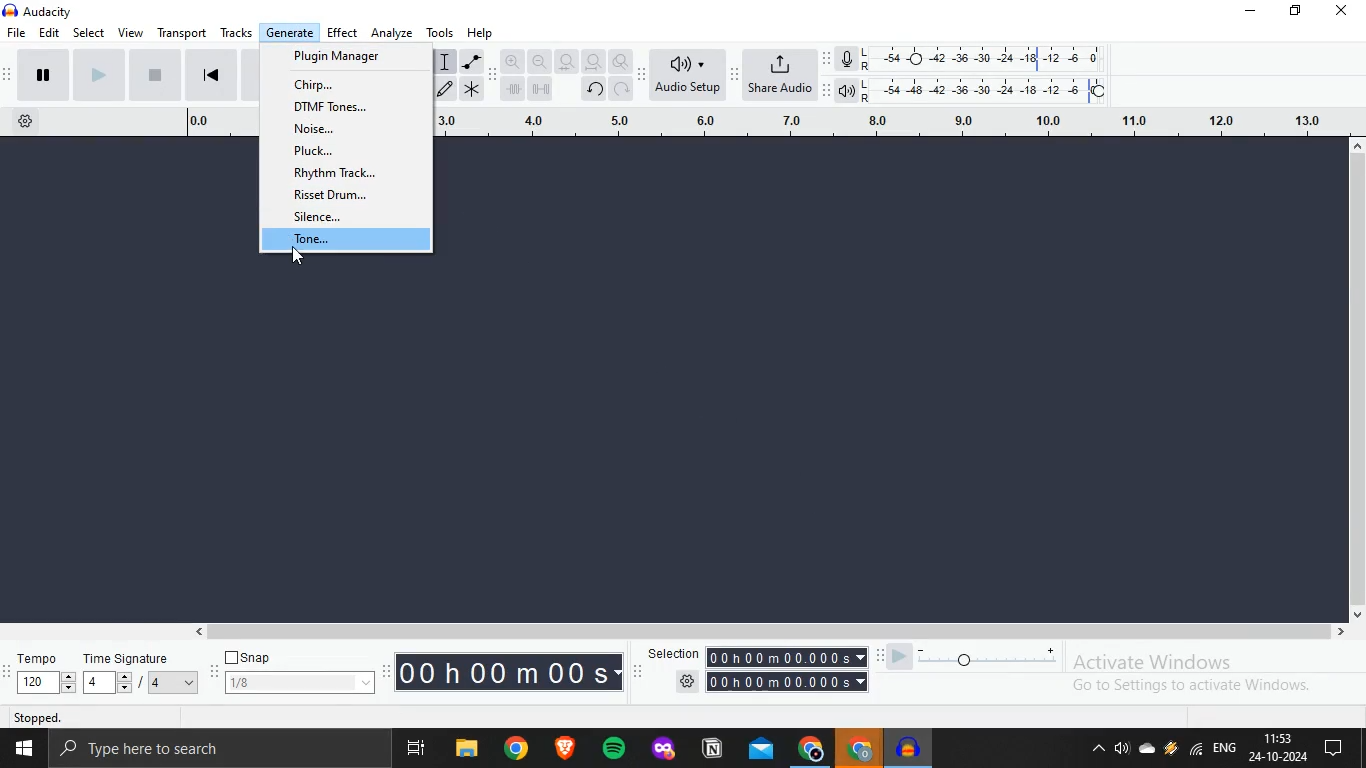  I want to click on Select, so click(90, 33).